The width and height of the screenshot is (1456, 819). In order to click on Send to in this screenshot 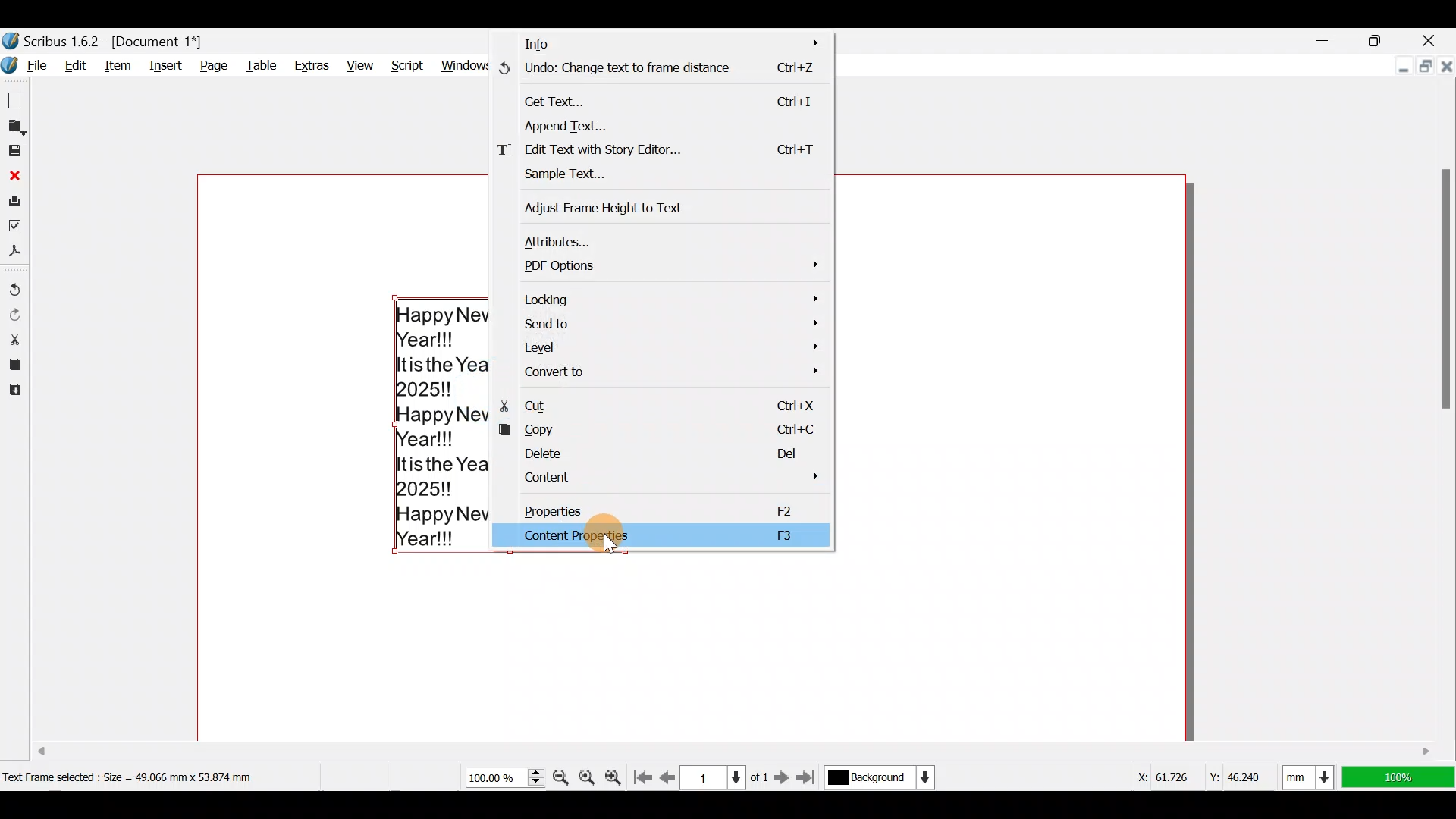, I will do `click(668, 324)`.